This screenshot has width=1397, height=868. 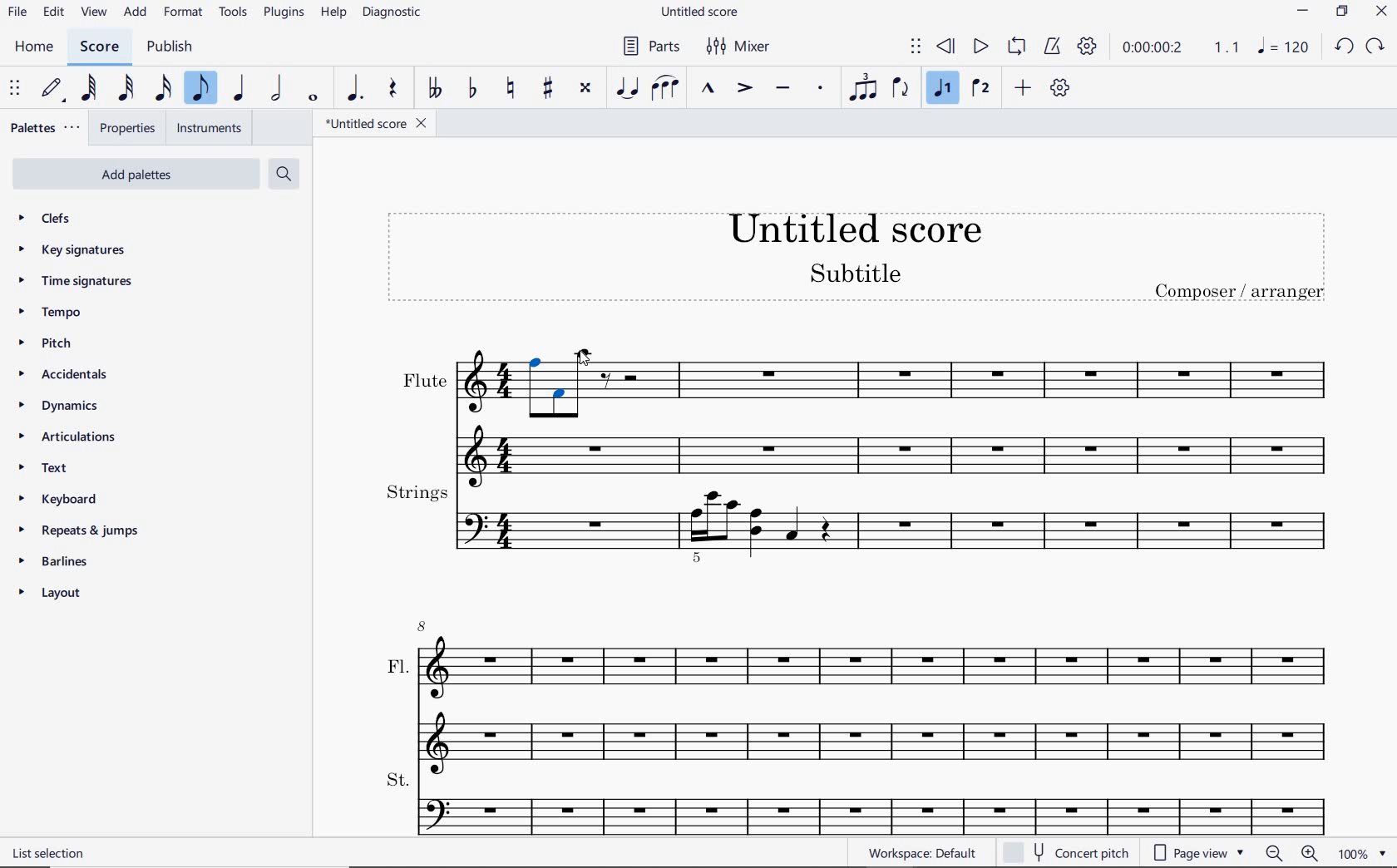 What do you see at coordinates (916, 47) in the screenshot?
I see `SELECT TO MOVE` at bounding box center [916, 47].